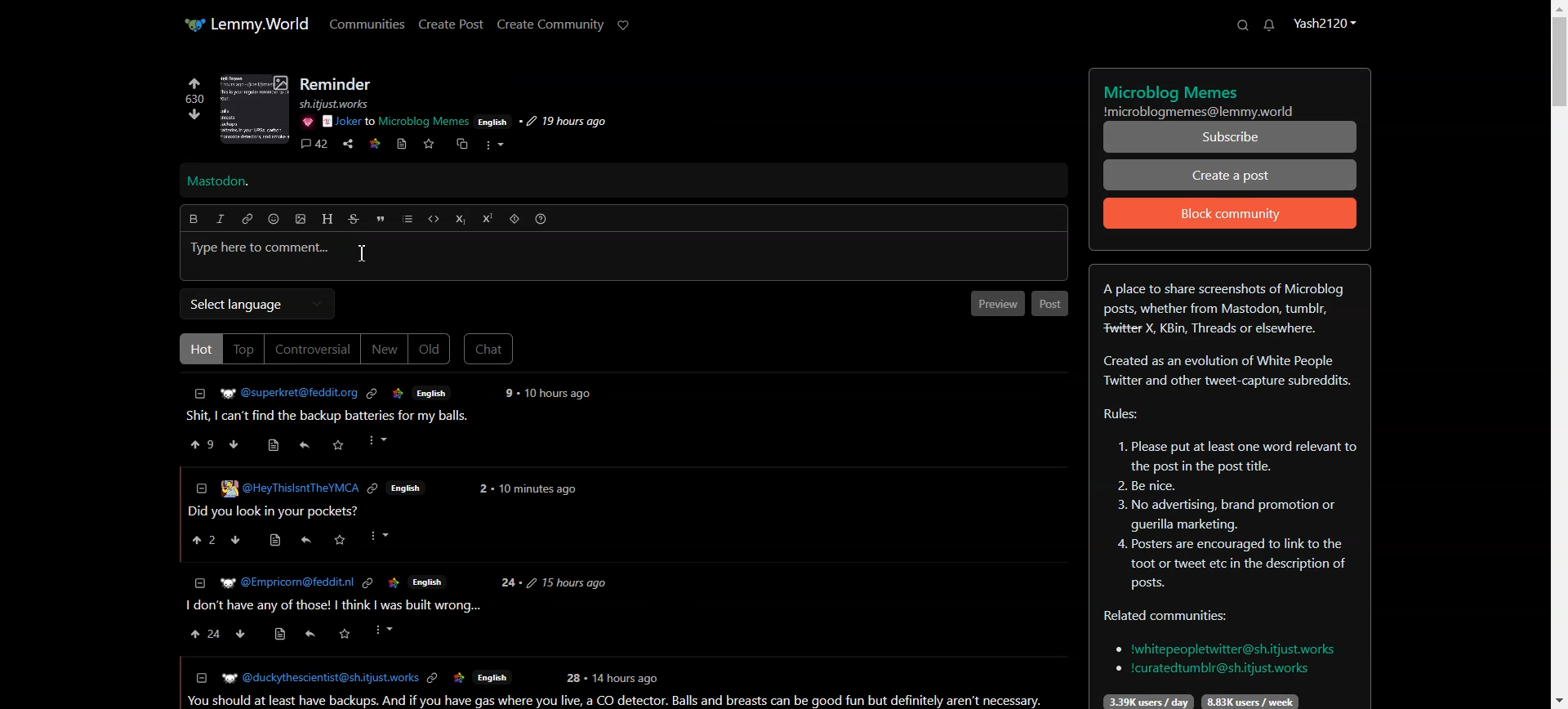  I want to click on Typing comment, so click(624, 257).